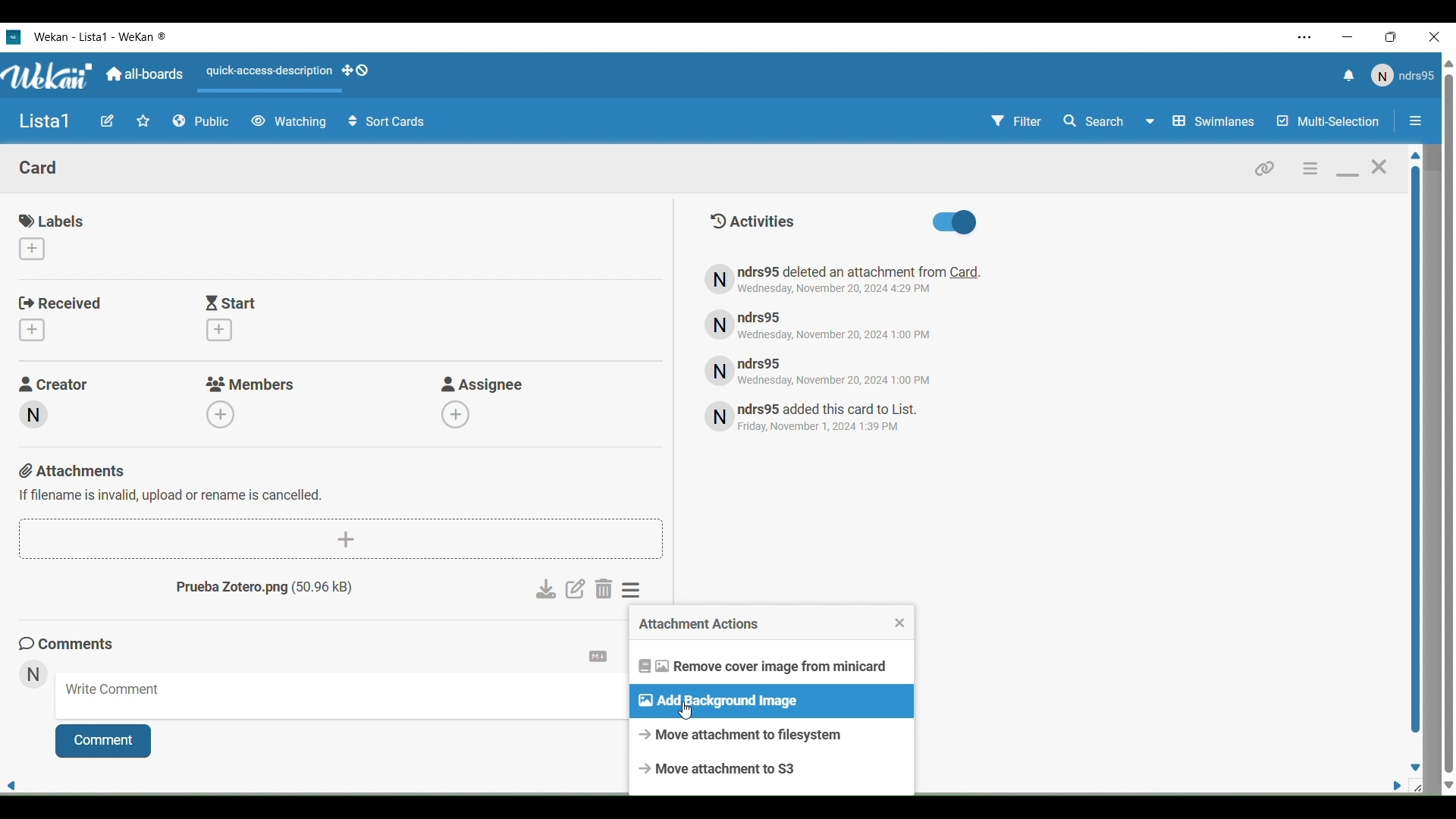  What do you see at coordinates (1214, 121) in the screenshot?
I see `Swimlines` at bounding box center [1214, 121].